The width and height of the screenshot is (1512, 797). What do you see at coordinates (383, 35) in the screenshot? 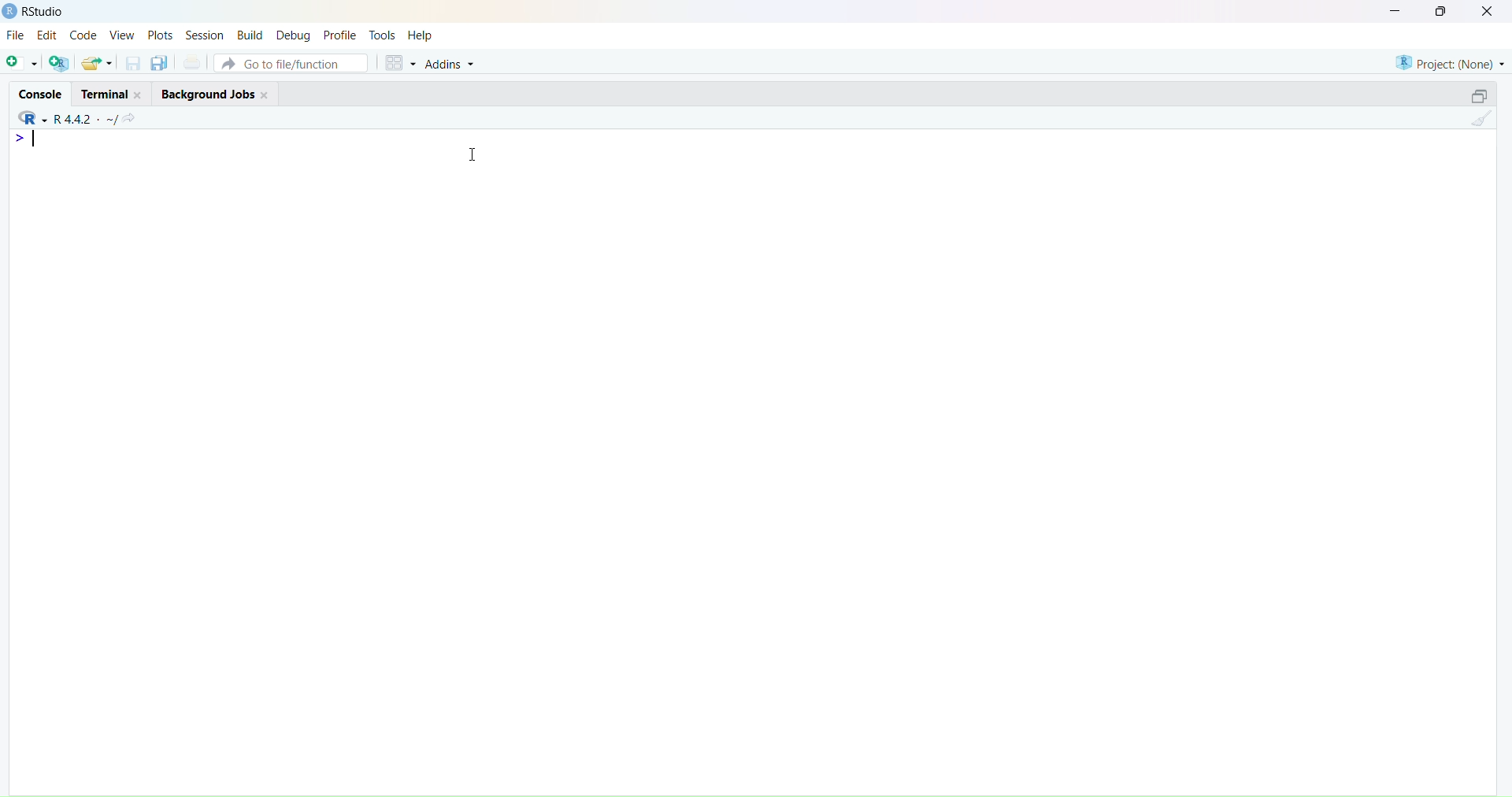
I see `tools` at bounding box center [383, 35].